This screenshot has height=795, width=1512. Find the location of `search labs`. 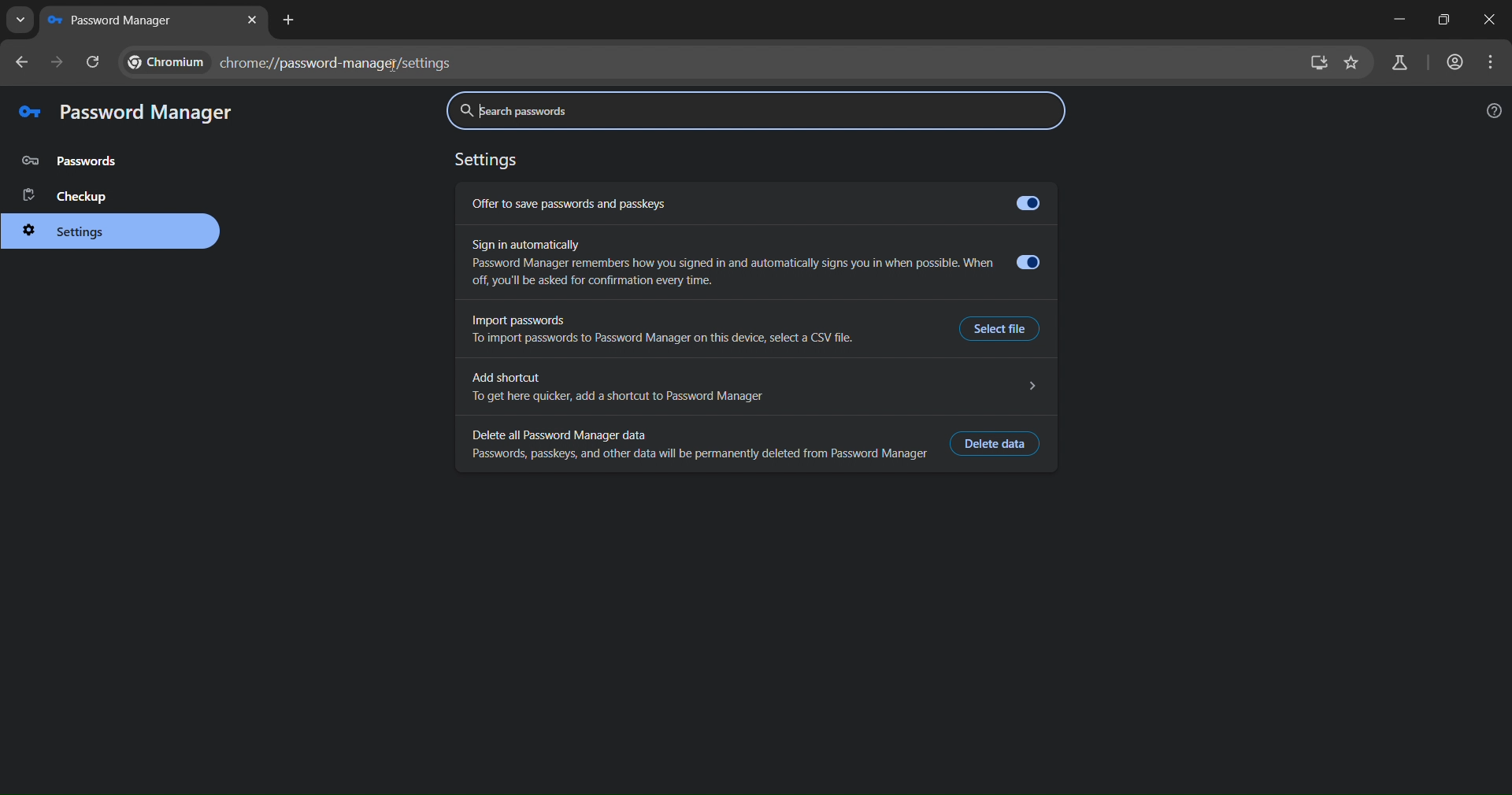

search labs is located at coordinates (1398, 62).